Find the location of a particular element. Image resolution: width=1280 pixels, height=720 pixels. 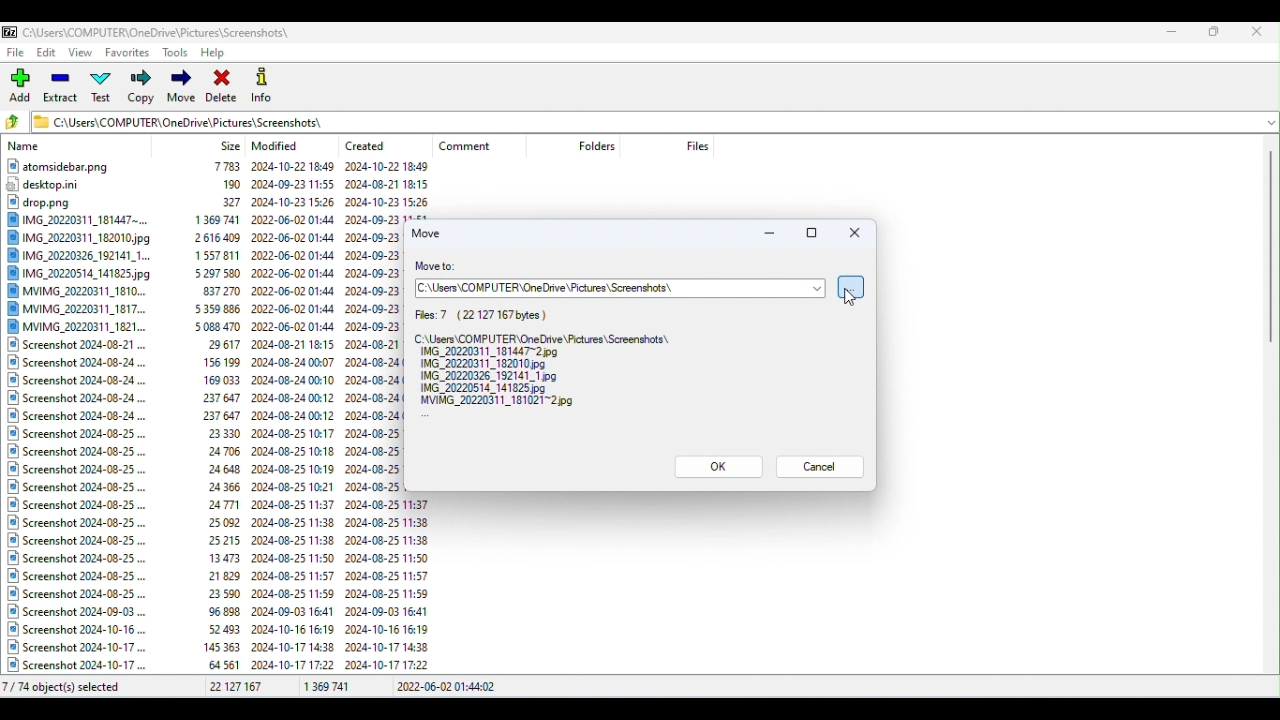

Address bar is located at coordinates (604, 288).